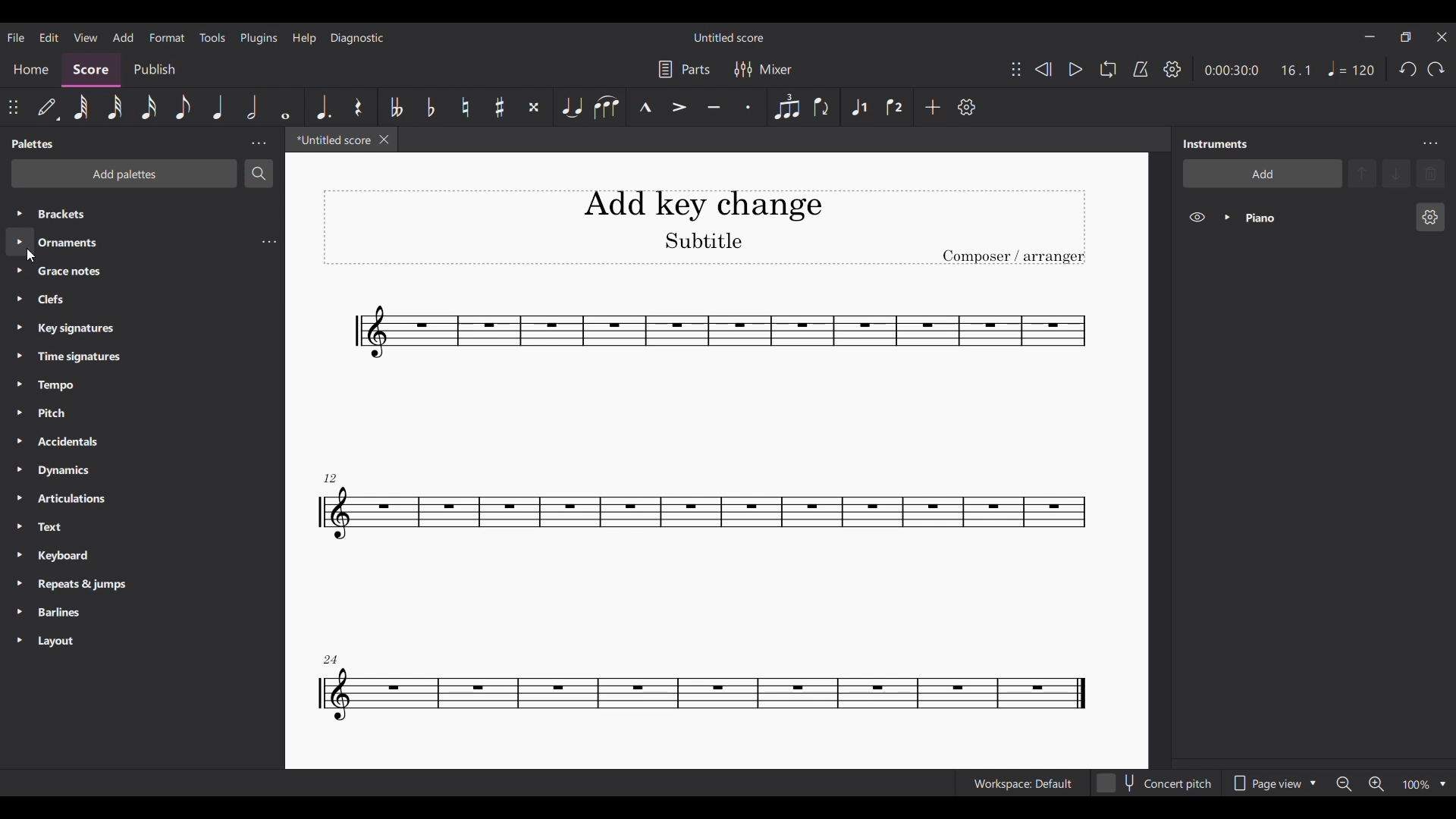  Describe the element at coordinates (1197, 217) in the screenshot. I see `Hide piano` at that location.